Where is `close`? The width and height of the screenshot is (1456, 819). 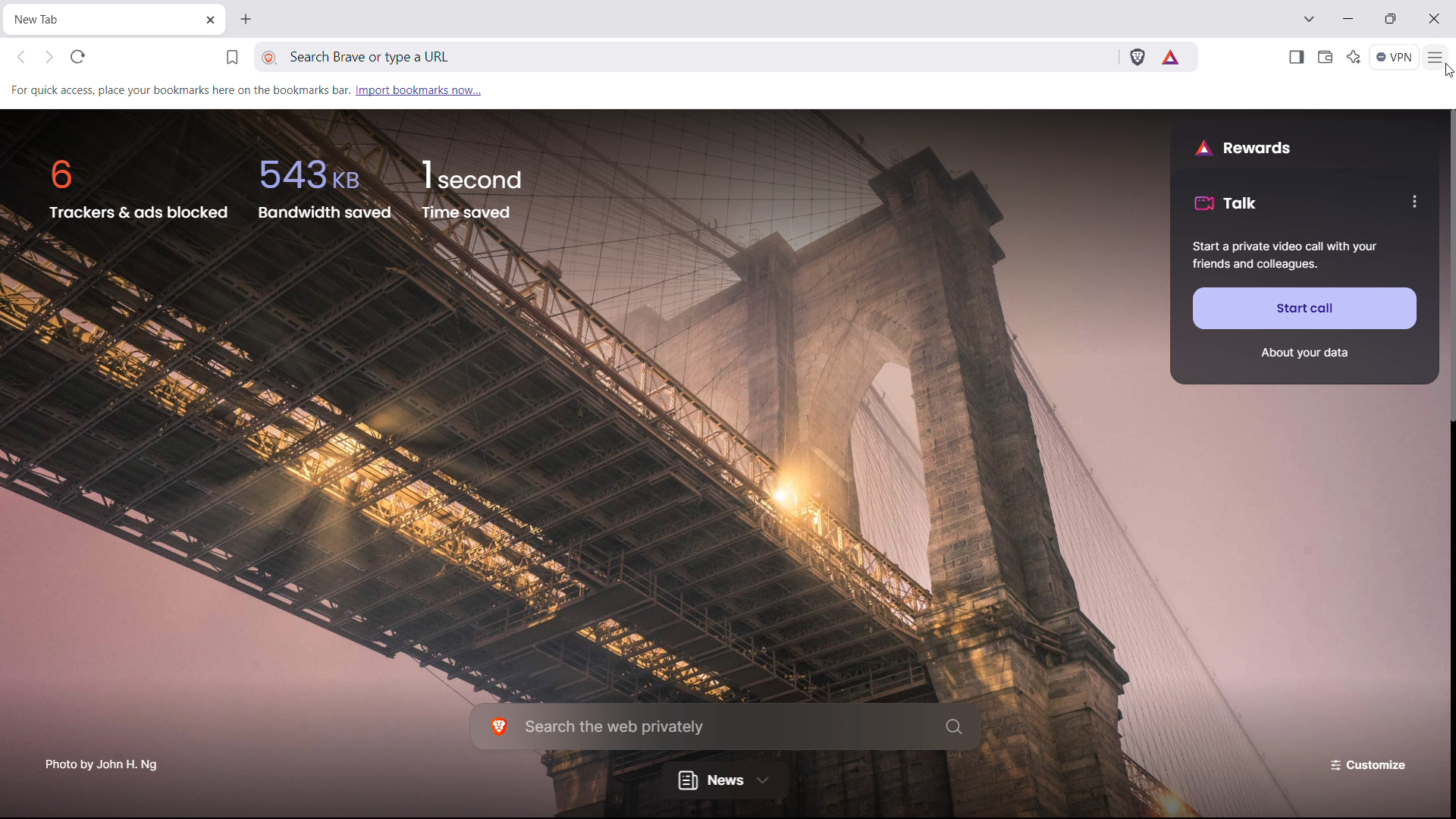 close is located at coordinates (1432, 18).